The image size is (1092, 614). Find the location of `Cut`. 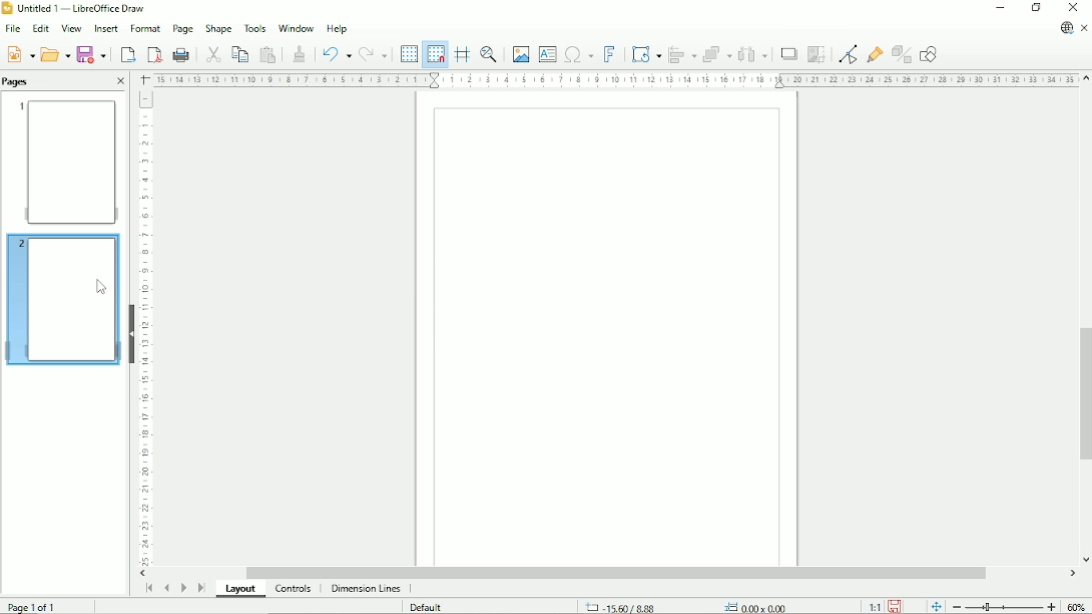

Cut is located at coordinates (212, 53).